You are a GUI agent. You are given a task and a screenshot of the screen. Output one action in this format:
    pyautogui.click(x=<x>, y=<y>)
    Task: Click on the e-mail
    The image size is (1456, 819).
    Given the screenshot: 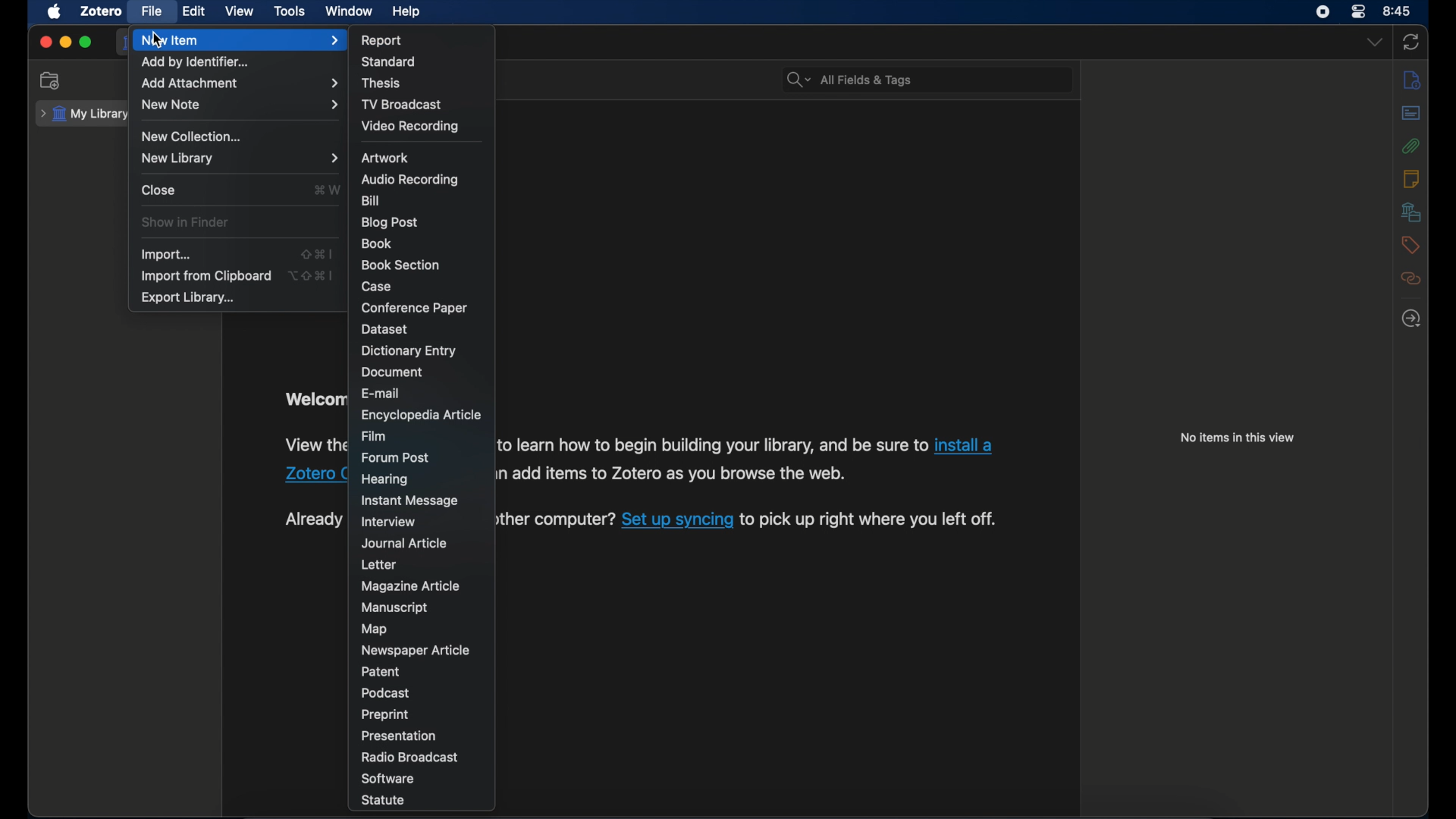 What is the action you would take?
    pyautogui.click(x=382, y=392)
    